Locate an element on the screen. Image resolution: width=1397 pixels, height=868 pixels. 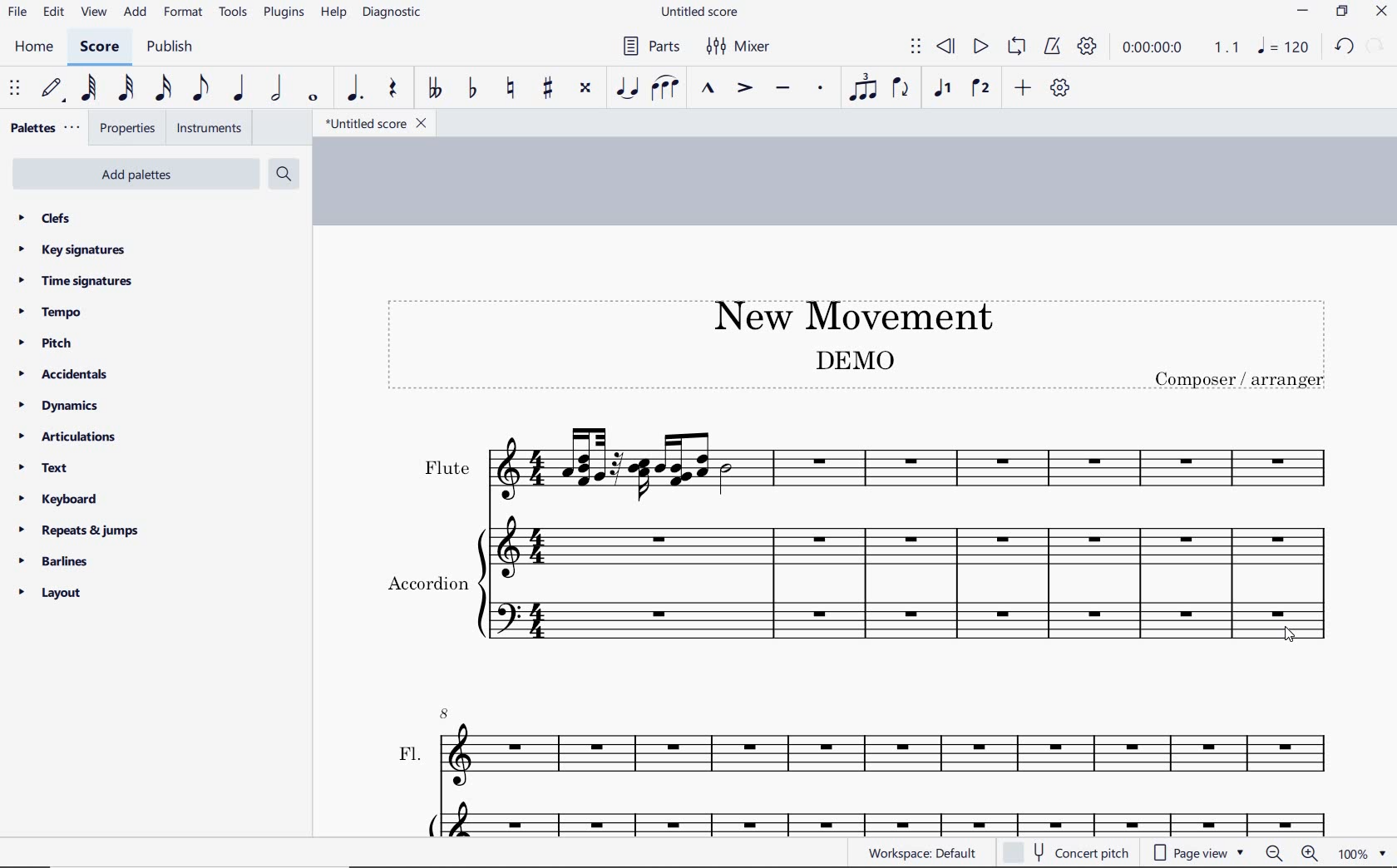
toggle natural is located at coordinates (512, 89).